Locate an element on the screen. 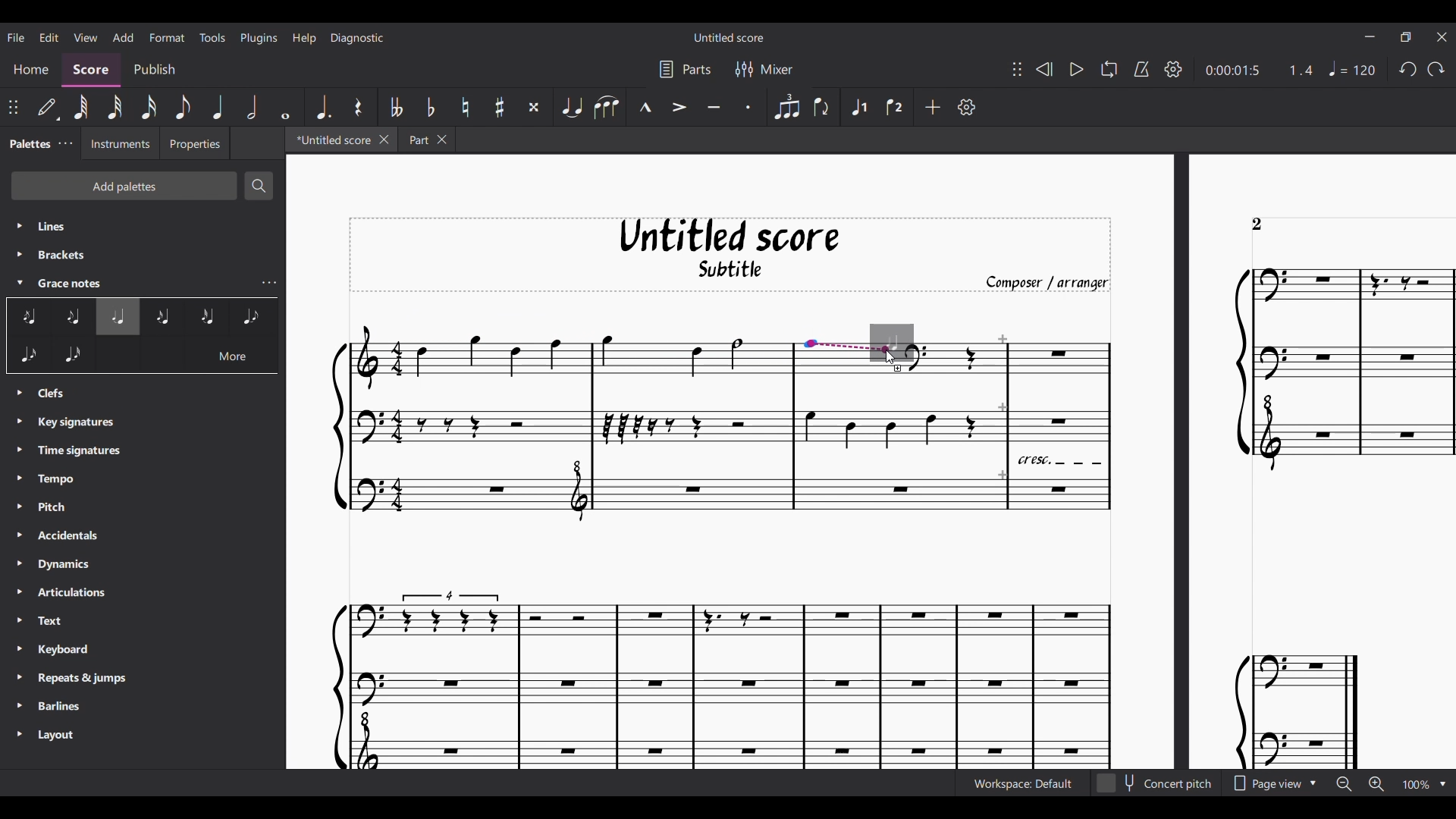  Metronome is located at coordinates (1141, 69).